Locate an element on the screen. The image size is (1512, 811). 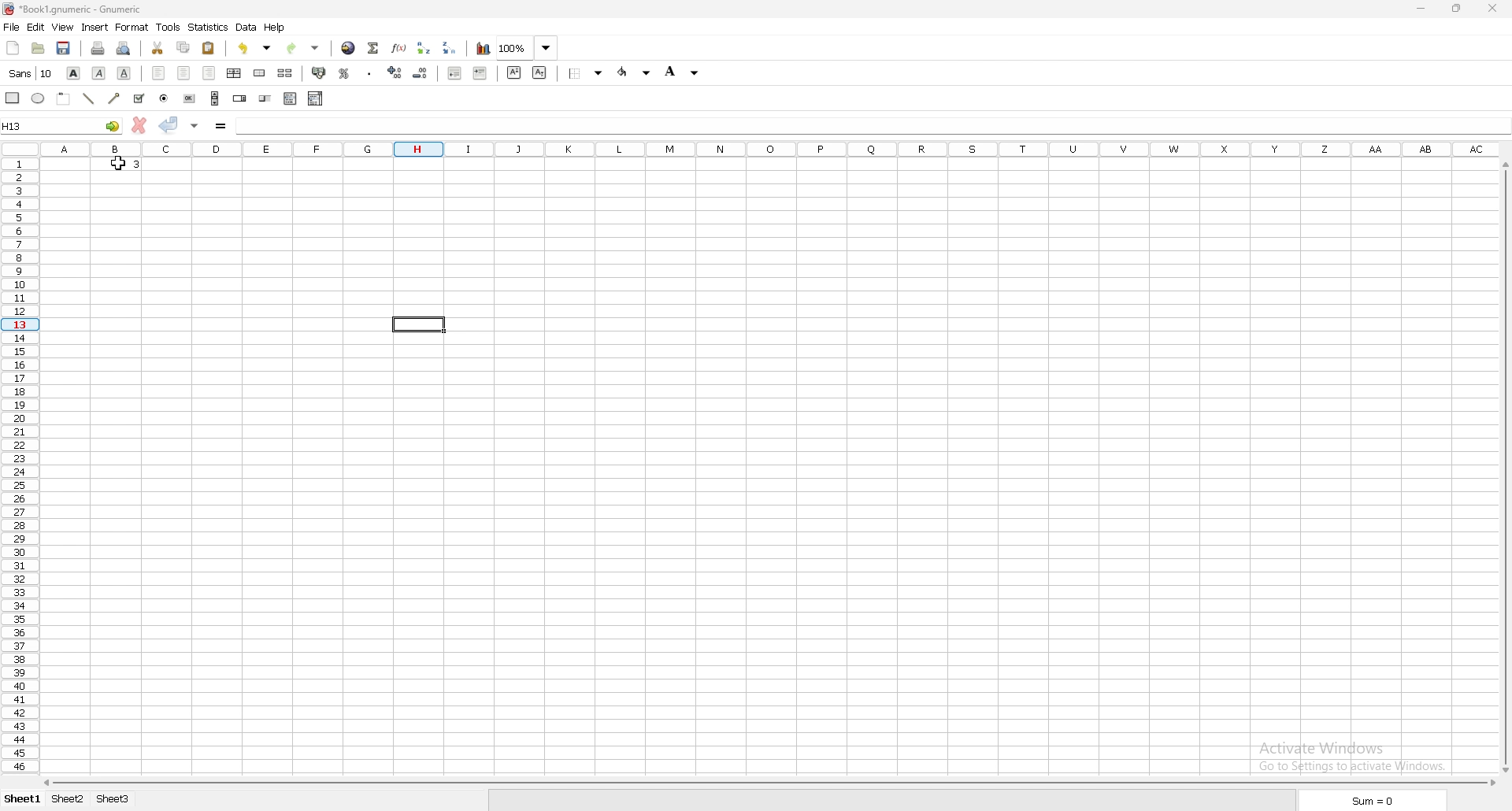
foreground is located at coordinates (636, 72).